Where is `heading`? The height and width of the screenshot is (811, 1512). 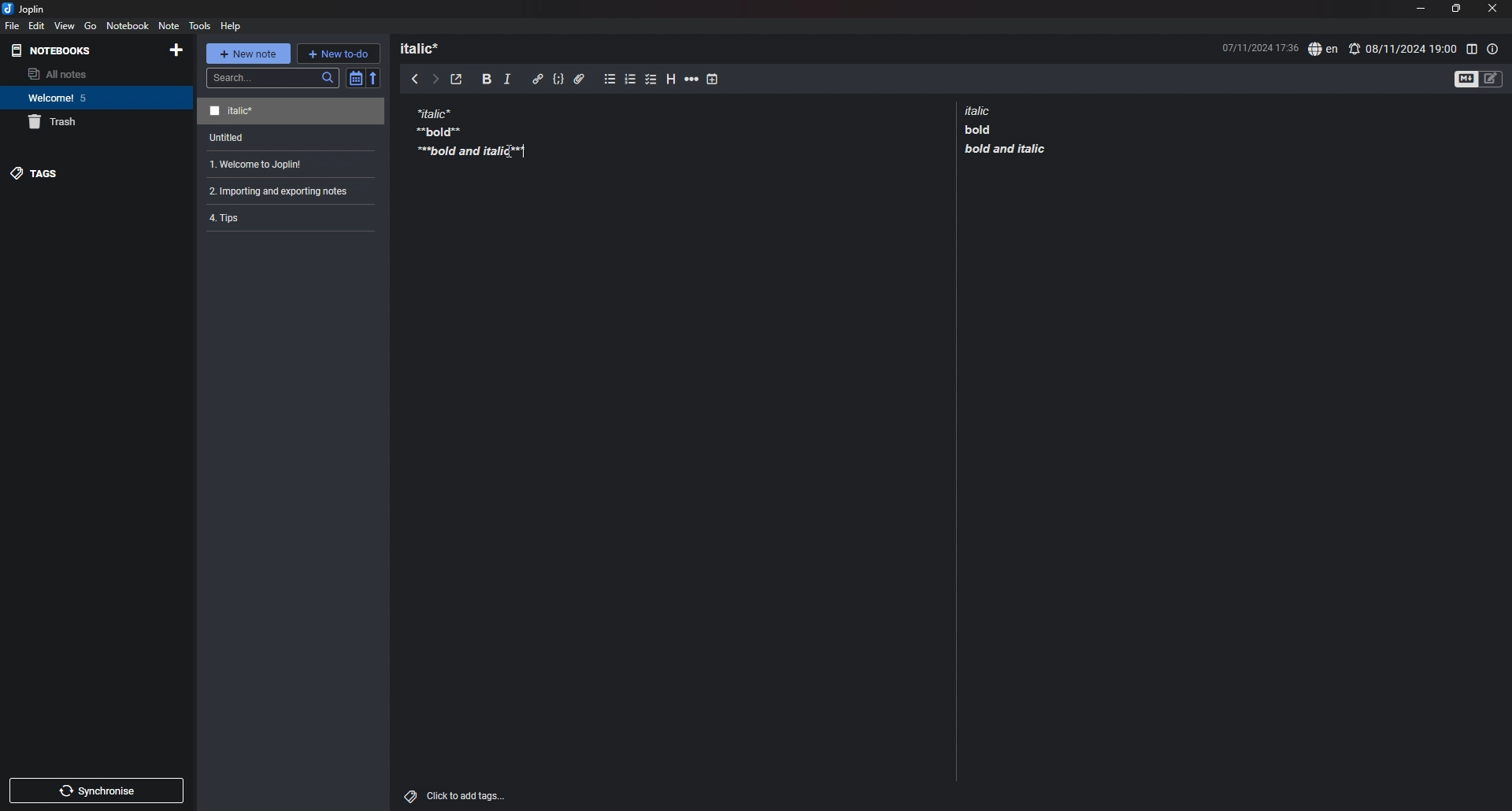
heading is located at coordinates (673, 80).